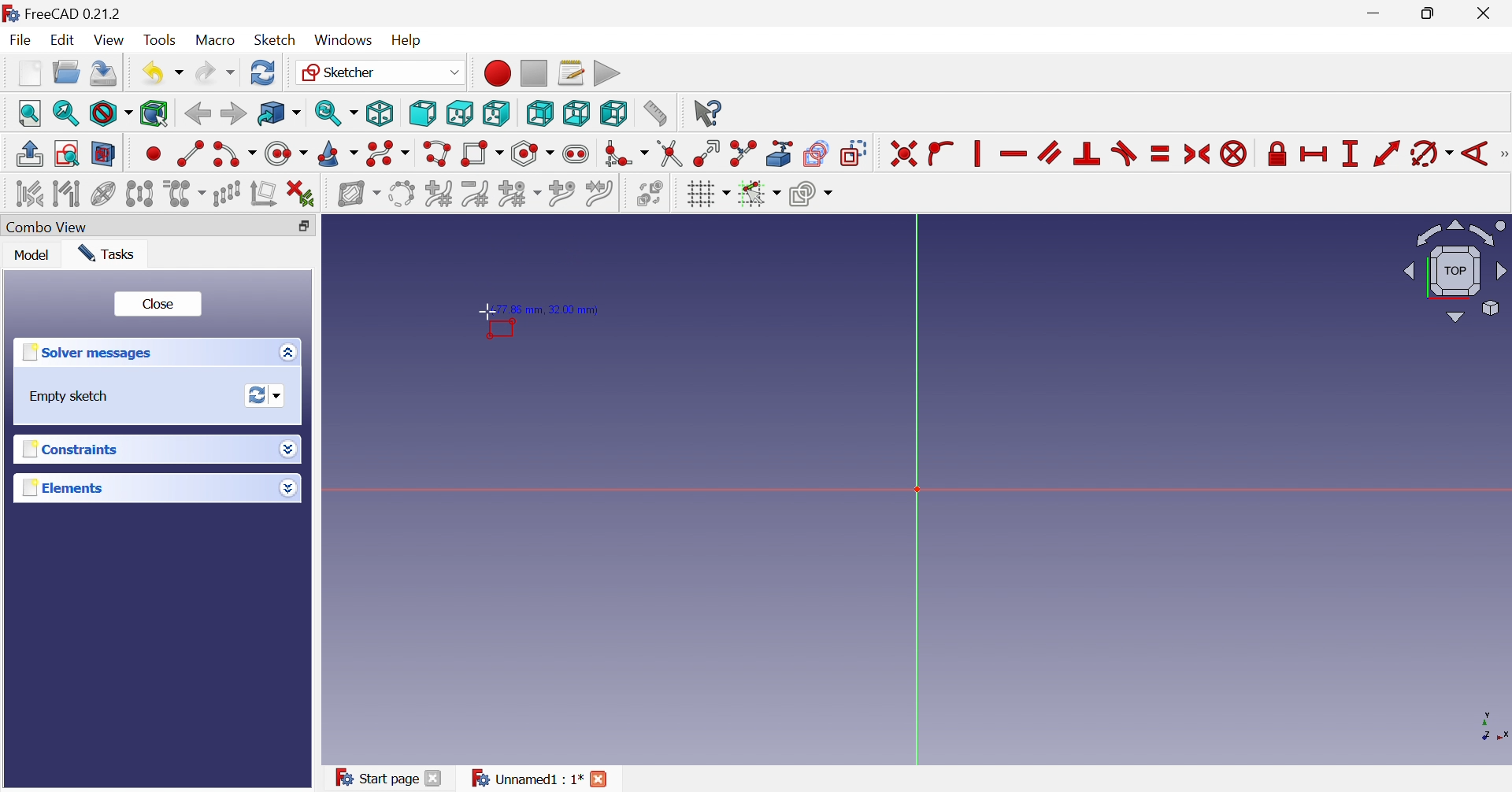 Image resolution: width=1512 pixels, height=792 pixels. Describe the element at coordinates (400, 194) in the screenshot. I see `Convert geometry to B-spline` at that location.